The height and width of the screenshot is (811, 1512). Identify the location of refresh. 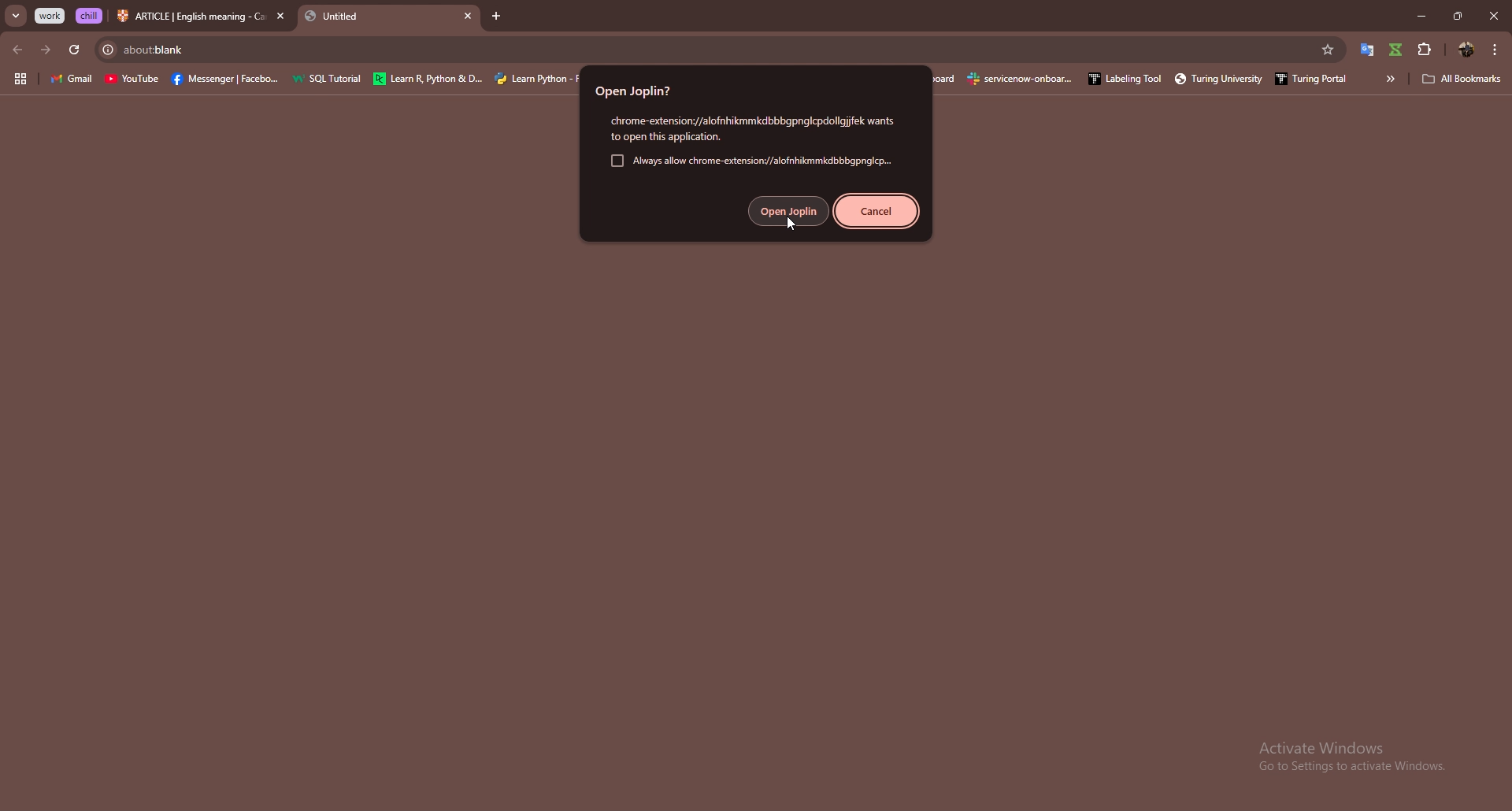
(73, 50).